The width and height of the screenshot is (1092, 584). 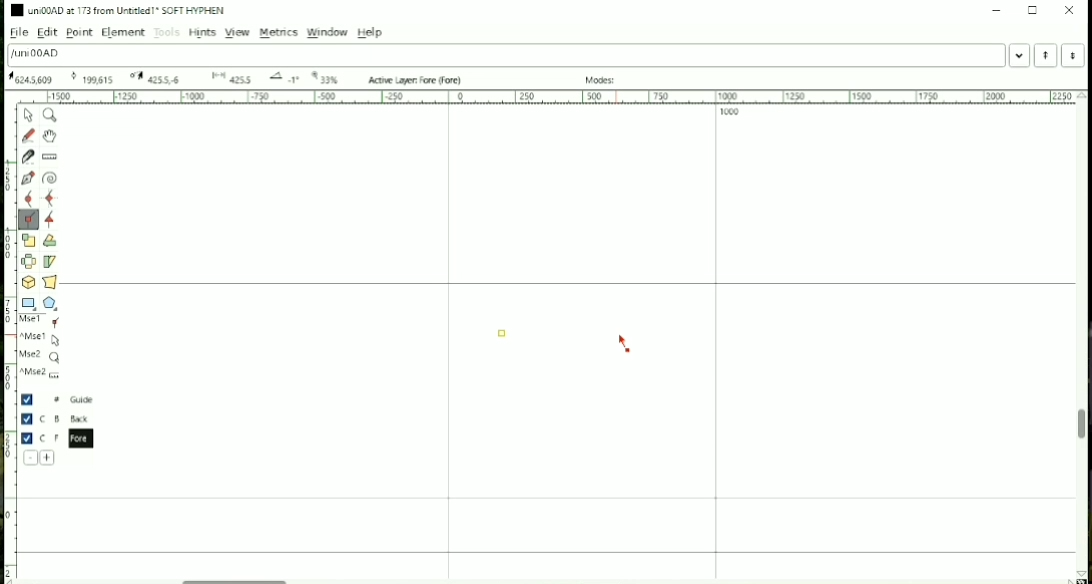 What do you see at coordinates (236, 579) in the screenshot?
I see `Horizontal scrollbar` at bounding box center [236, 579].